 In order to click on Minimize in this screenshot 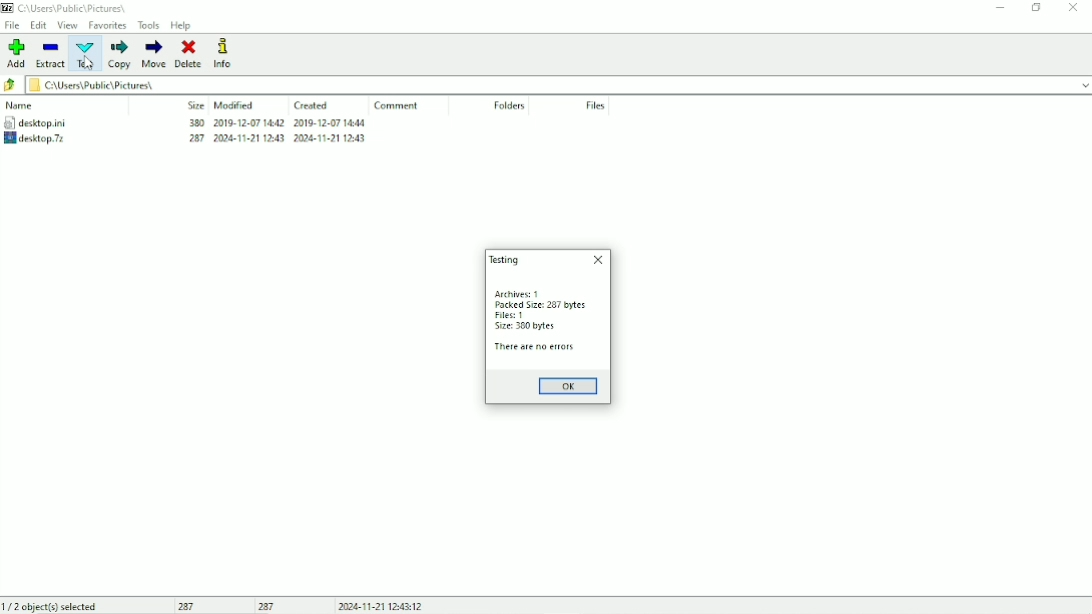, I will do `click(1003, 8)`.